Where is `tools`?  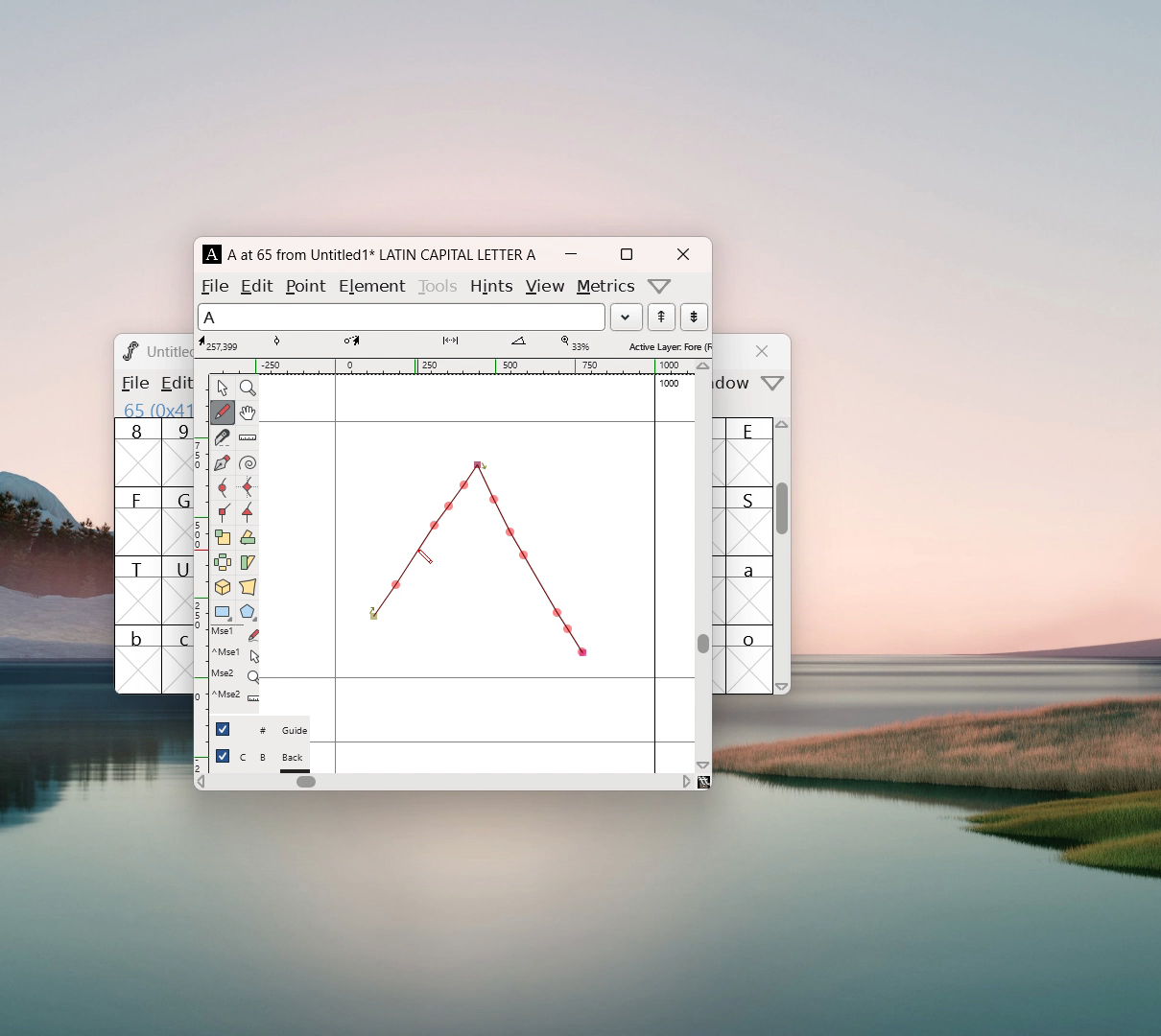 tools is located at coordinates (439, 284).